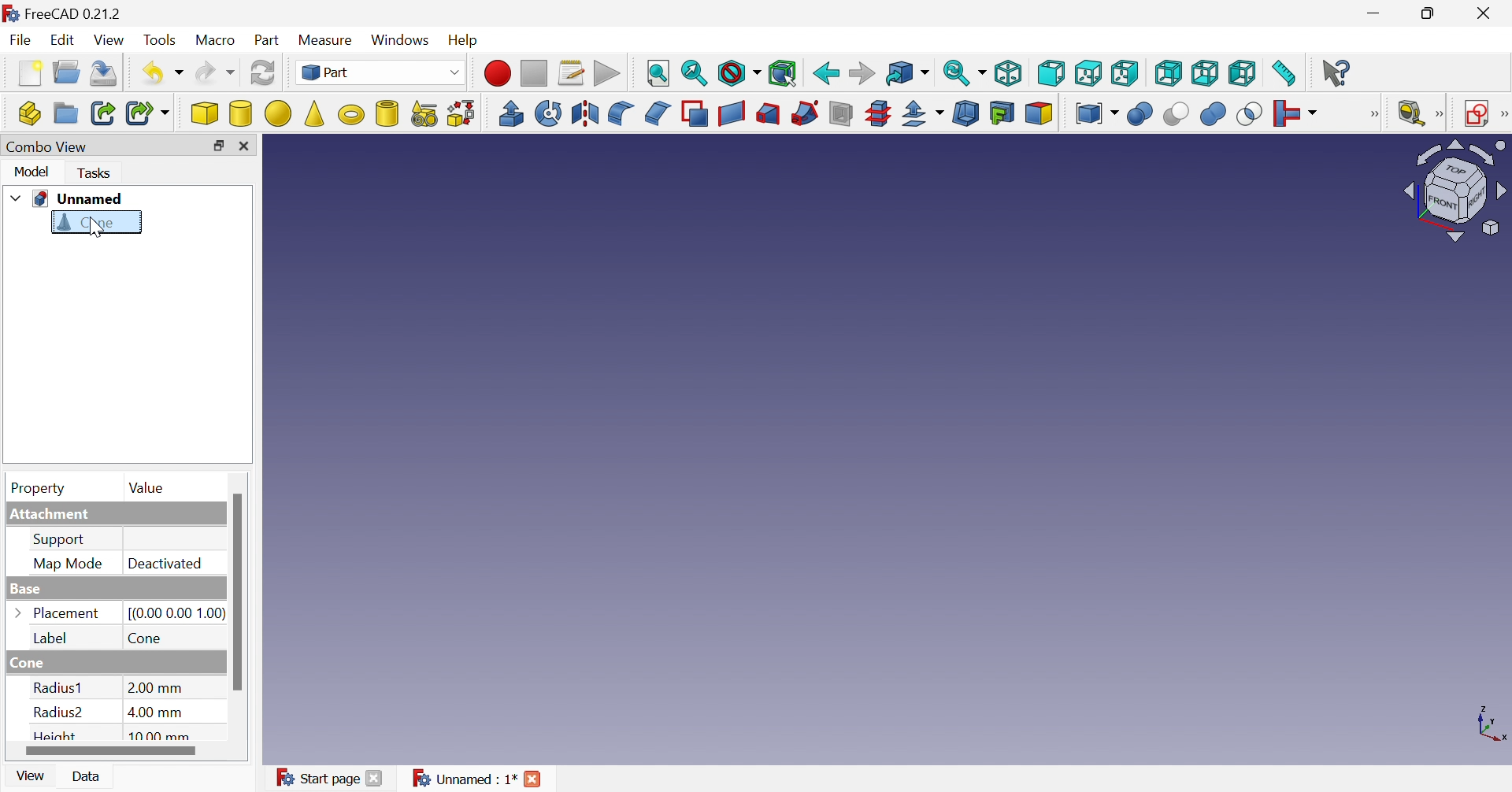 The image size is (1512, 792). Describe the element at coordinates (89, 224) in the screenshot. I see `Cone` at that location.